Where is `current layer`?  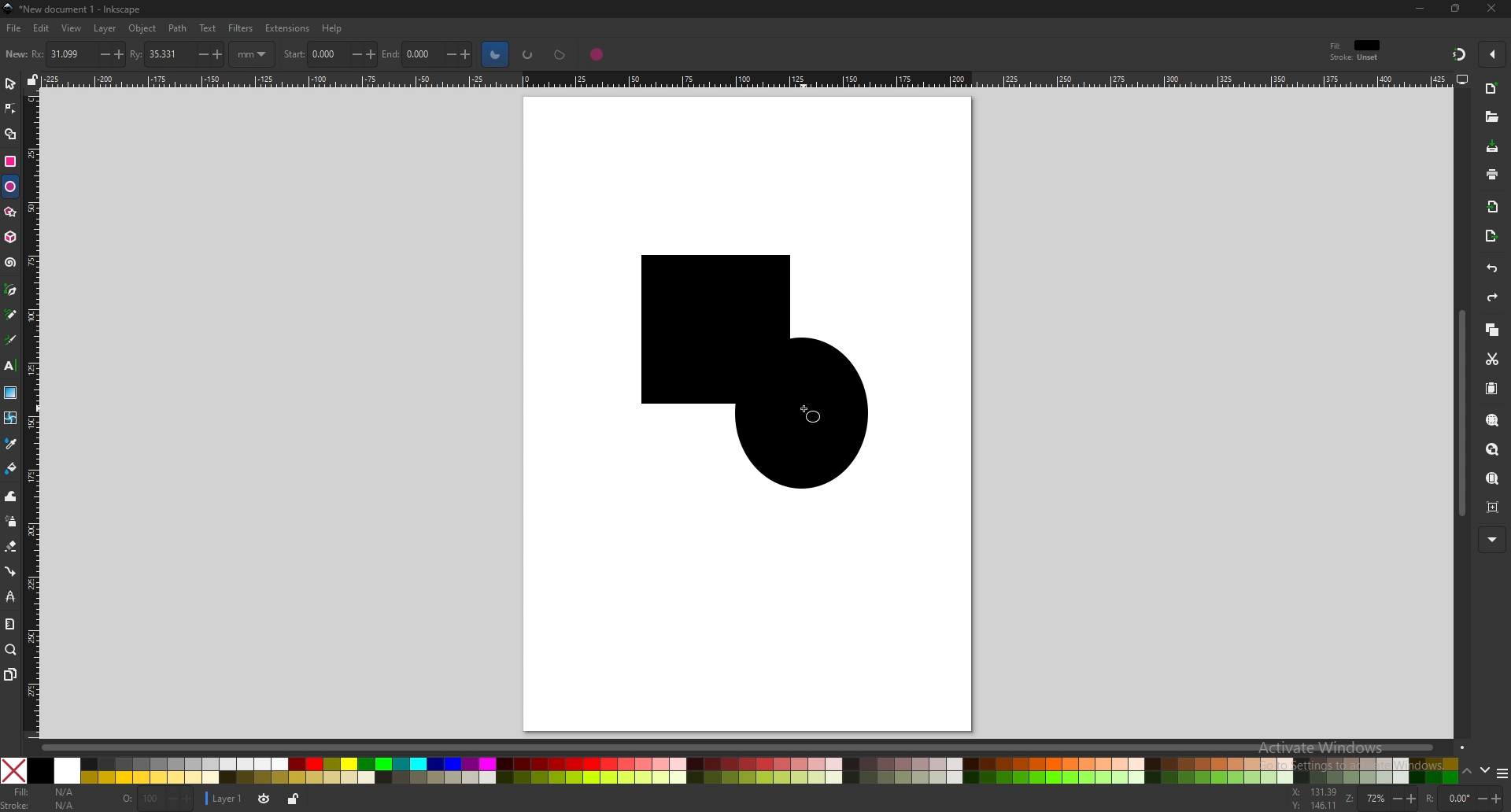
current layer is located at coordinates (225, 799).